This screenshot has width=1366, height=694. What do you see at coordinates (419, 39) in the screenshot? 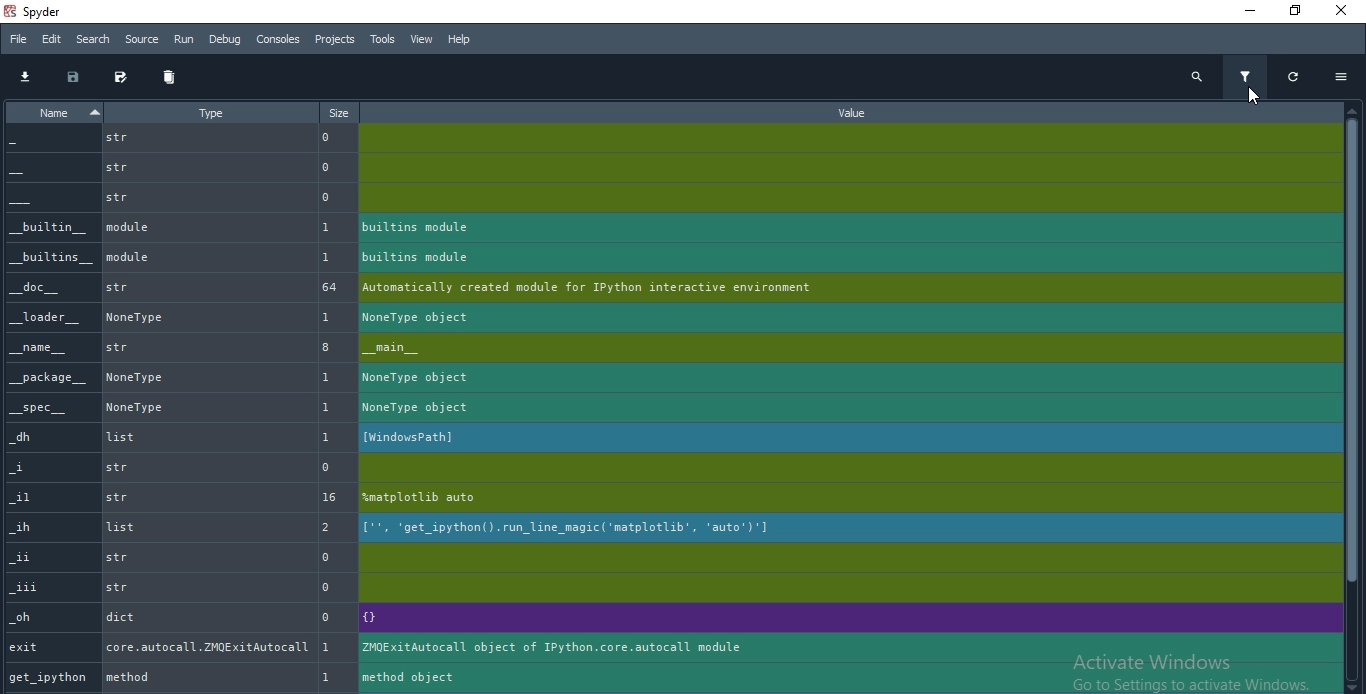
I see `View` at bounding box center [419, 39].